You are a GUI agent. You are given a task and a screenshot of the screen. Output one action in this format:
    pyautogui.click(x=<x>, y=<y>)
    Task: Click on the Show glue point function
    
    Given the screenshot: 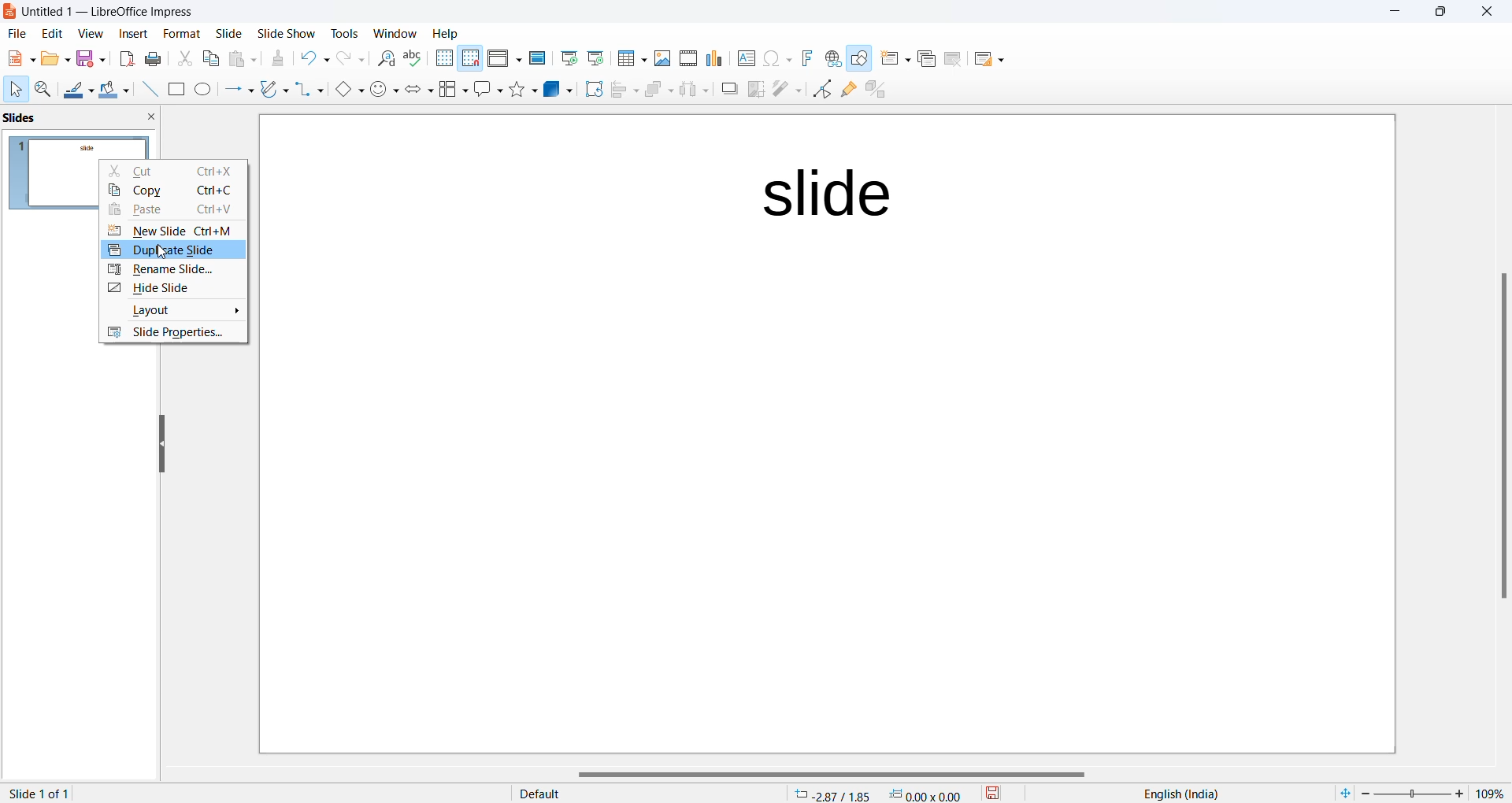 What is the action you would take?
    pyautogui.click(x=847, y=90)
    